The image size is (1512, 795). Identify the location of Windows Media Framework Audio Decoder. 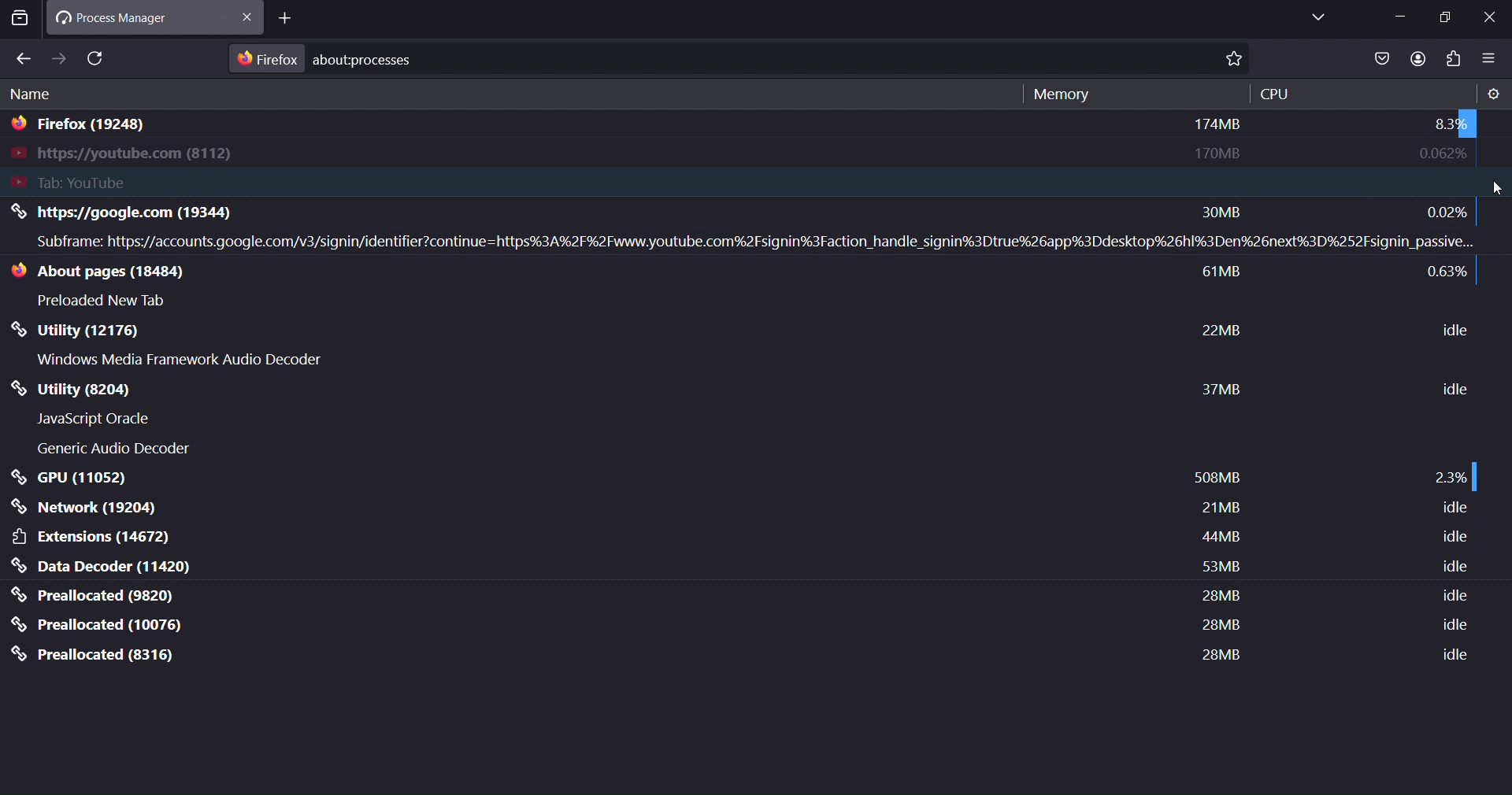
(182, 360).